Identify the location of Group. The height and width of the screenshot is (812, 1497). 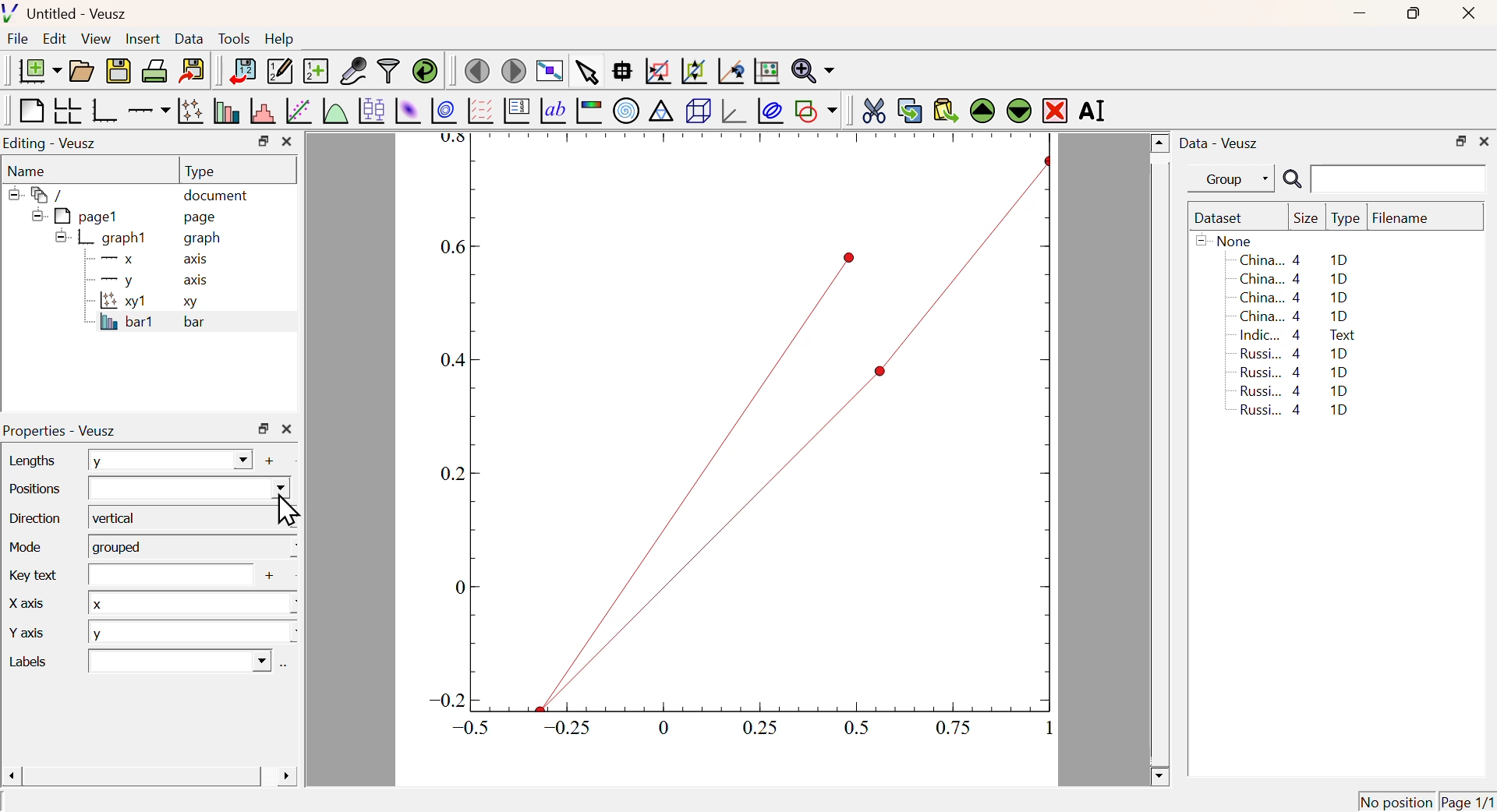
(1236, 180).